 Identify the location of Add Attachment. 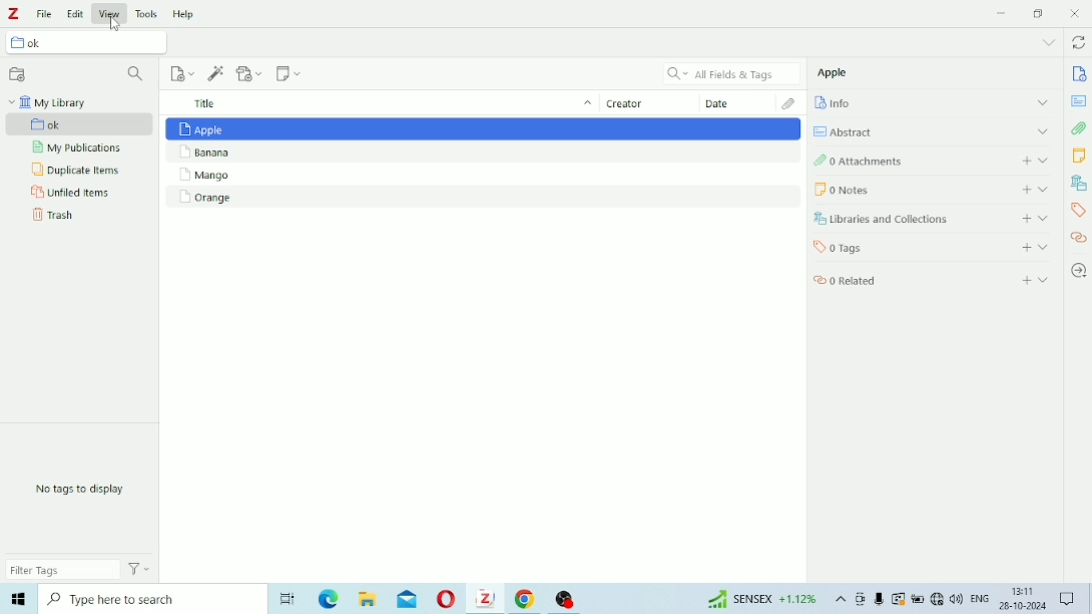
(251, 75).